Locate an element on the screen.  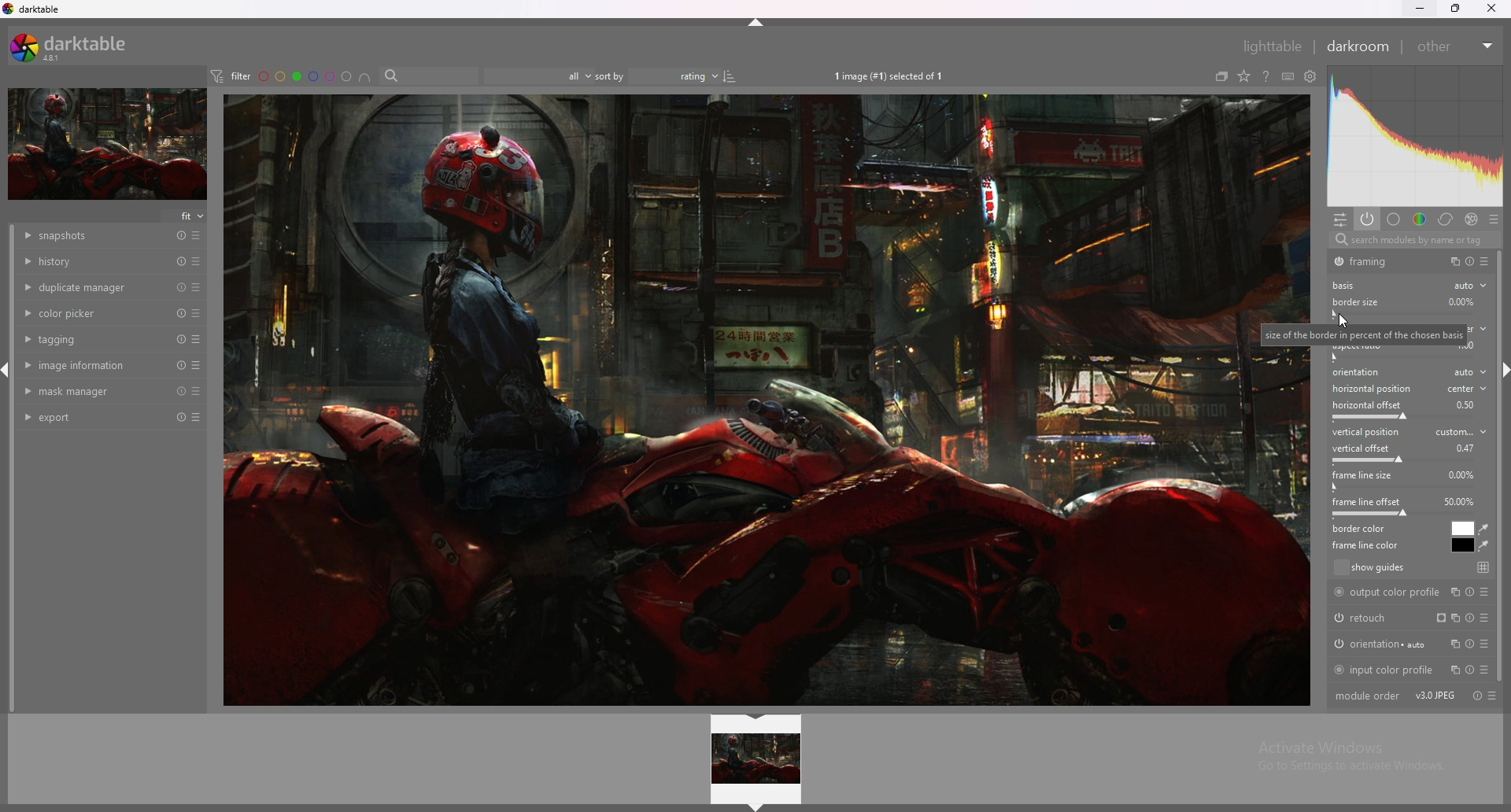
target image is located at coordinates (734, 400).